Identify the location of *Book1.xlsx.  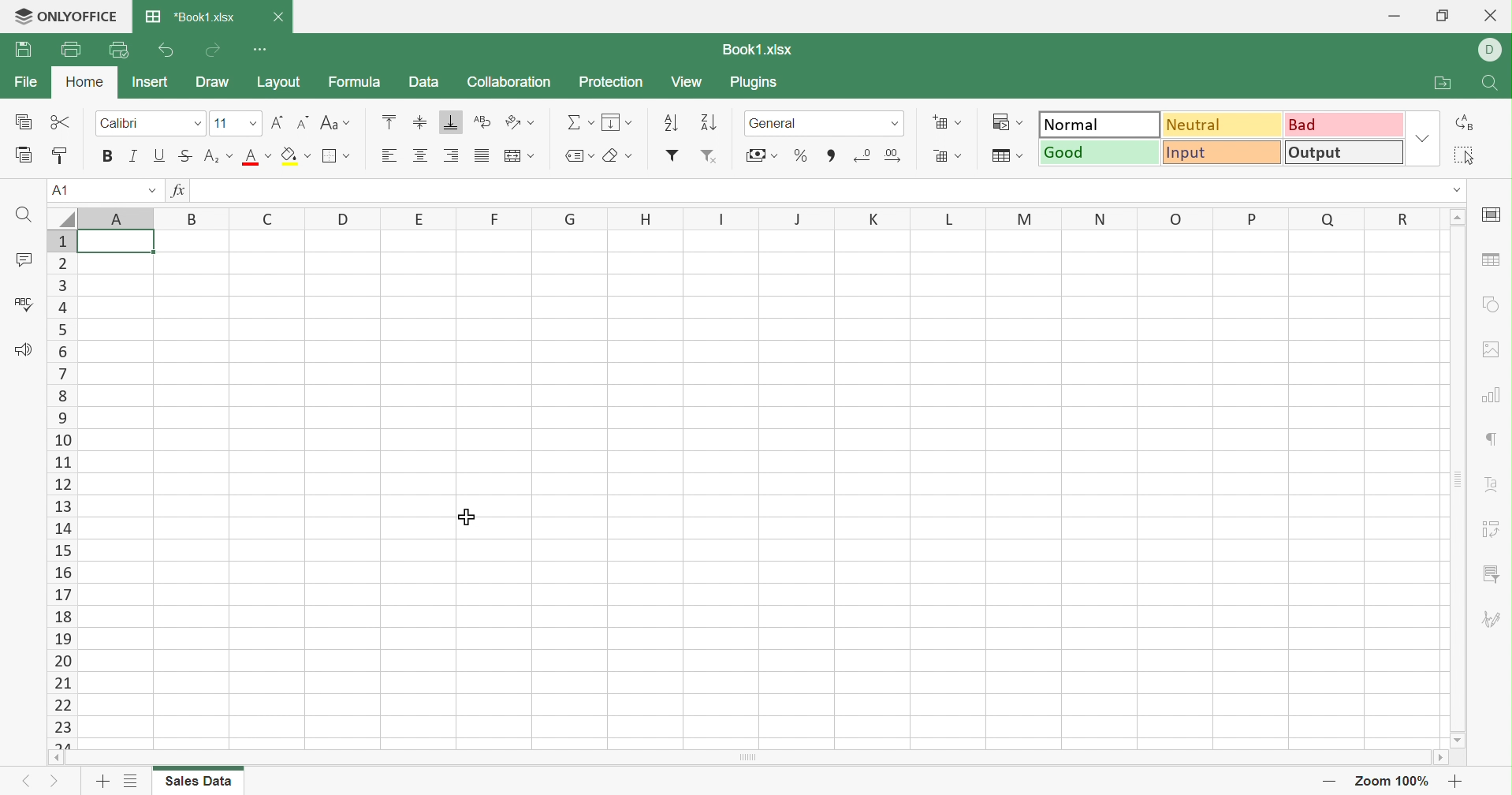
(194, 14).